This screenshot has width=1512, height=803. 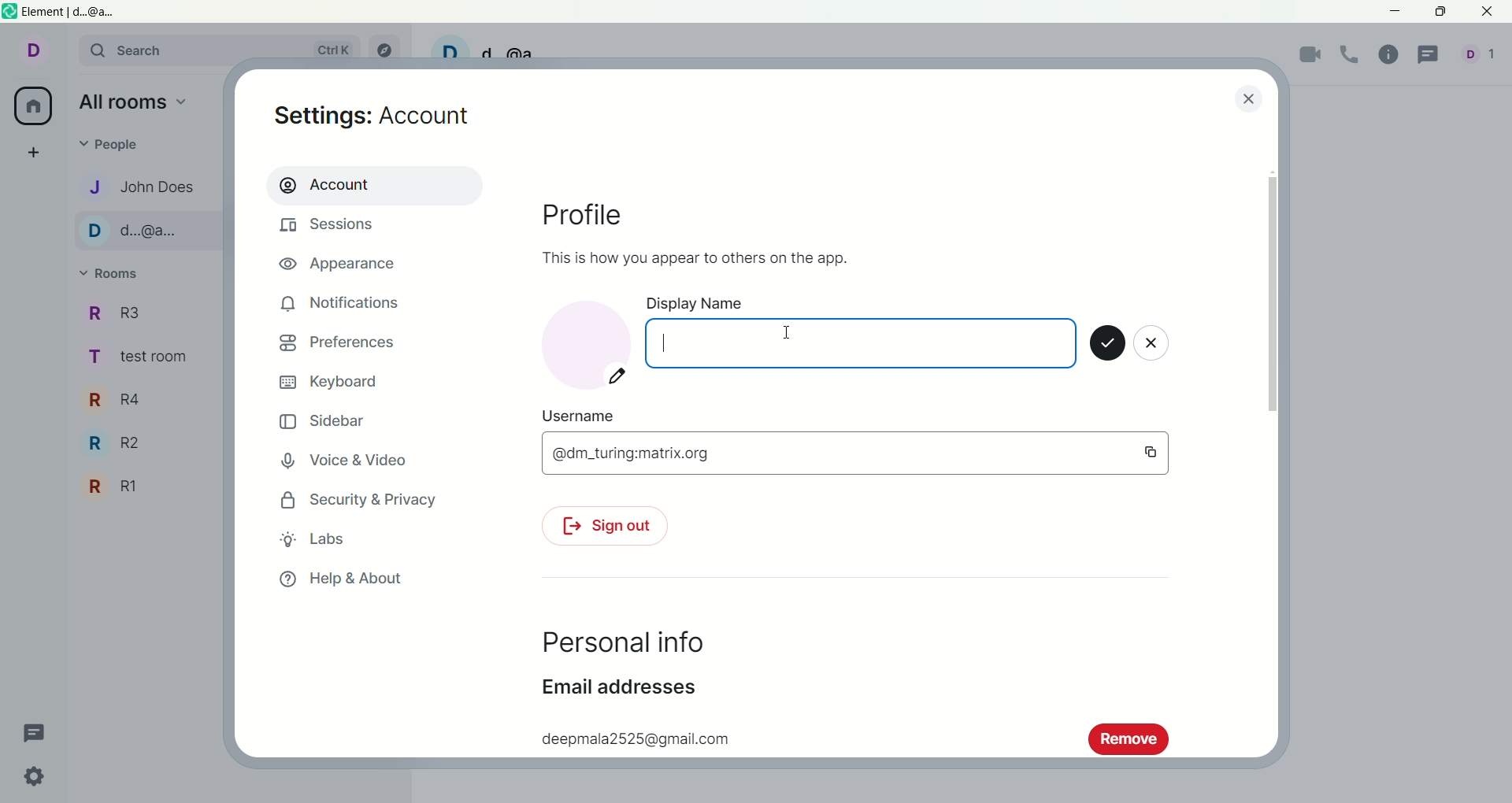 I want to click on TEST ROOM, so click(x=145, y=361).